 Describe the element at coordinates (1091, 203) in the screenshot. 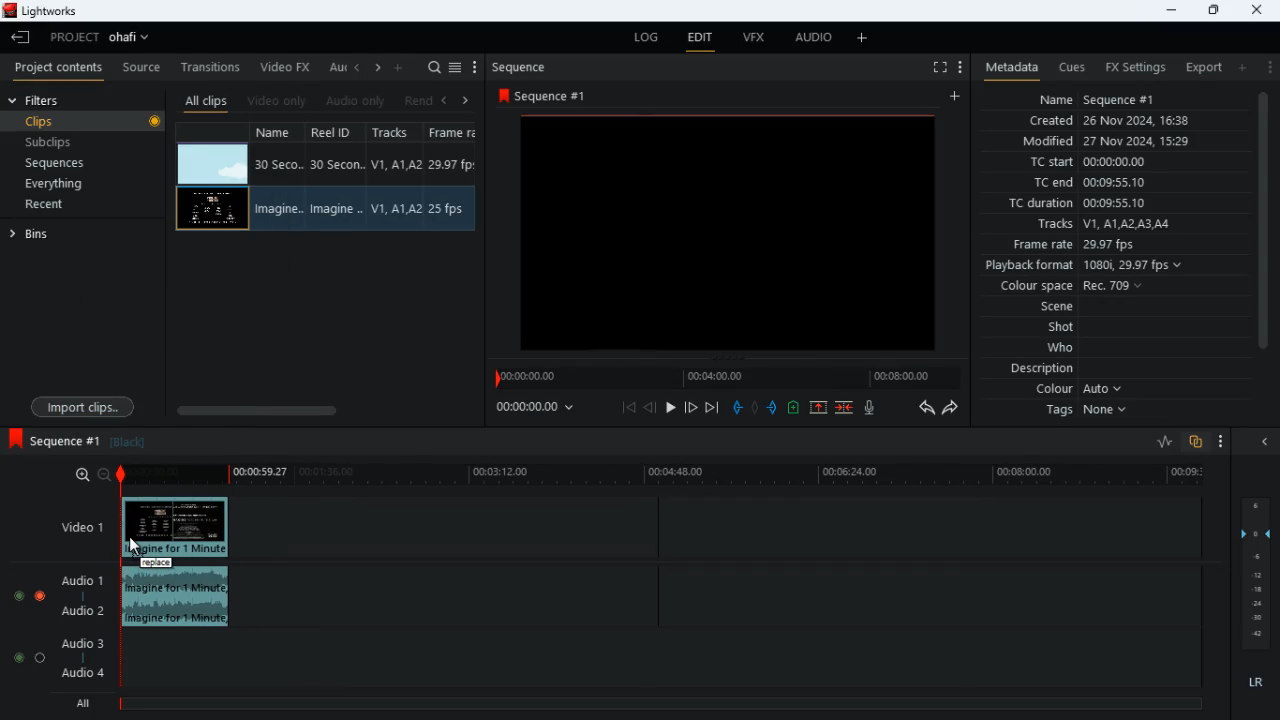

I see `tc duration` at that location.